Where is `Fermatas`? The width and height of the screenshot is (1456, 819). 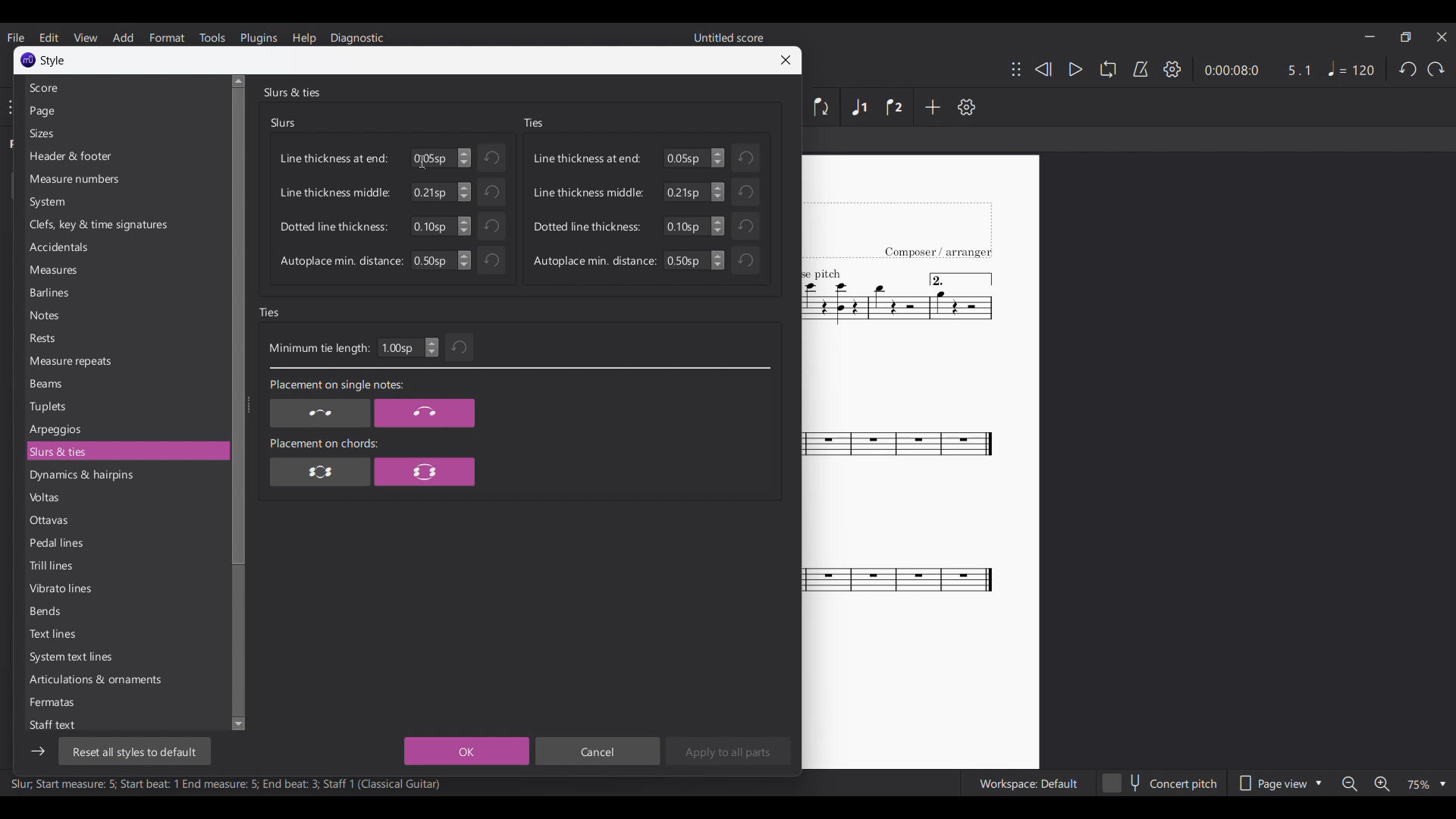 Fermatas is located at coordinates (125, 702).